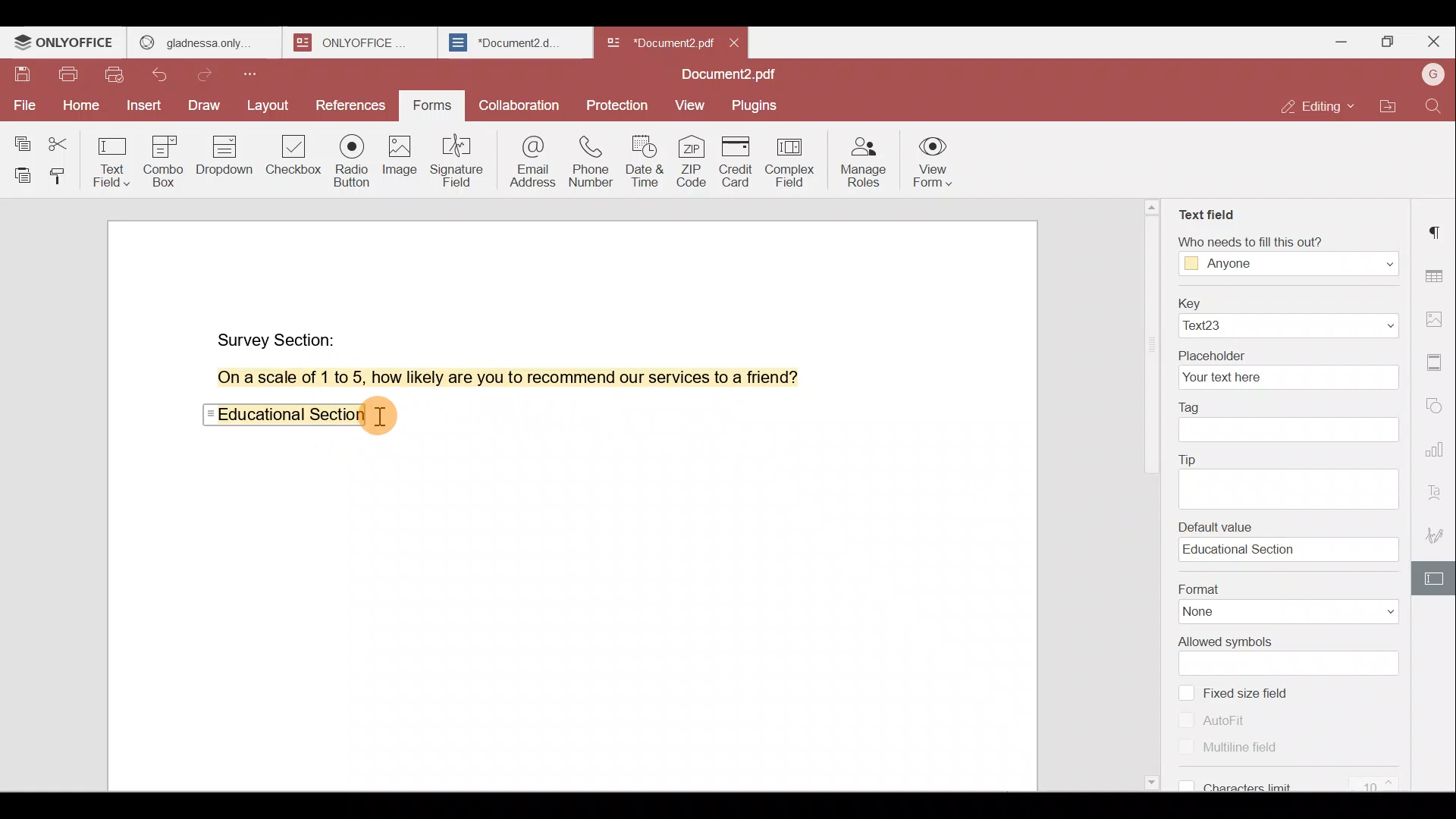  I want to click on Document name, so click(733, 76).